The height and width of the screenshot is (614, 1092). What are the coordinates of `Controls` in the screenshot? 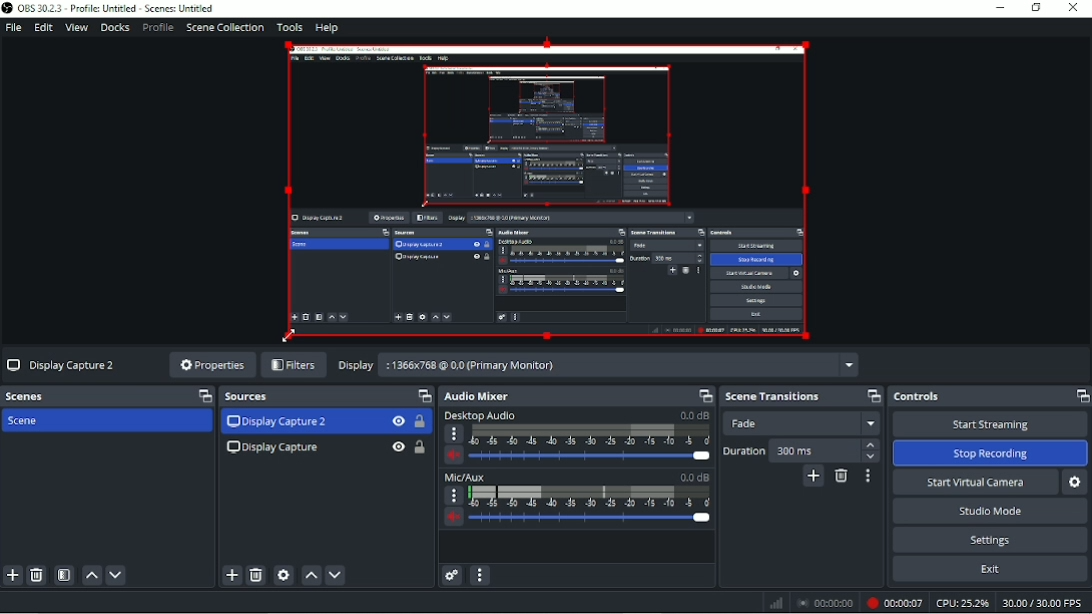 It's located at (917, 397).